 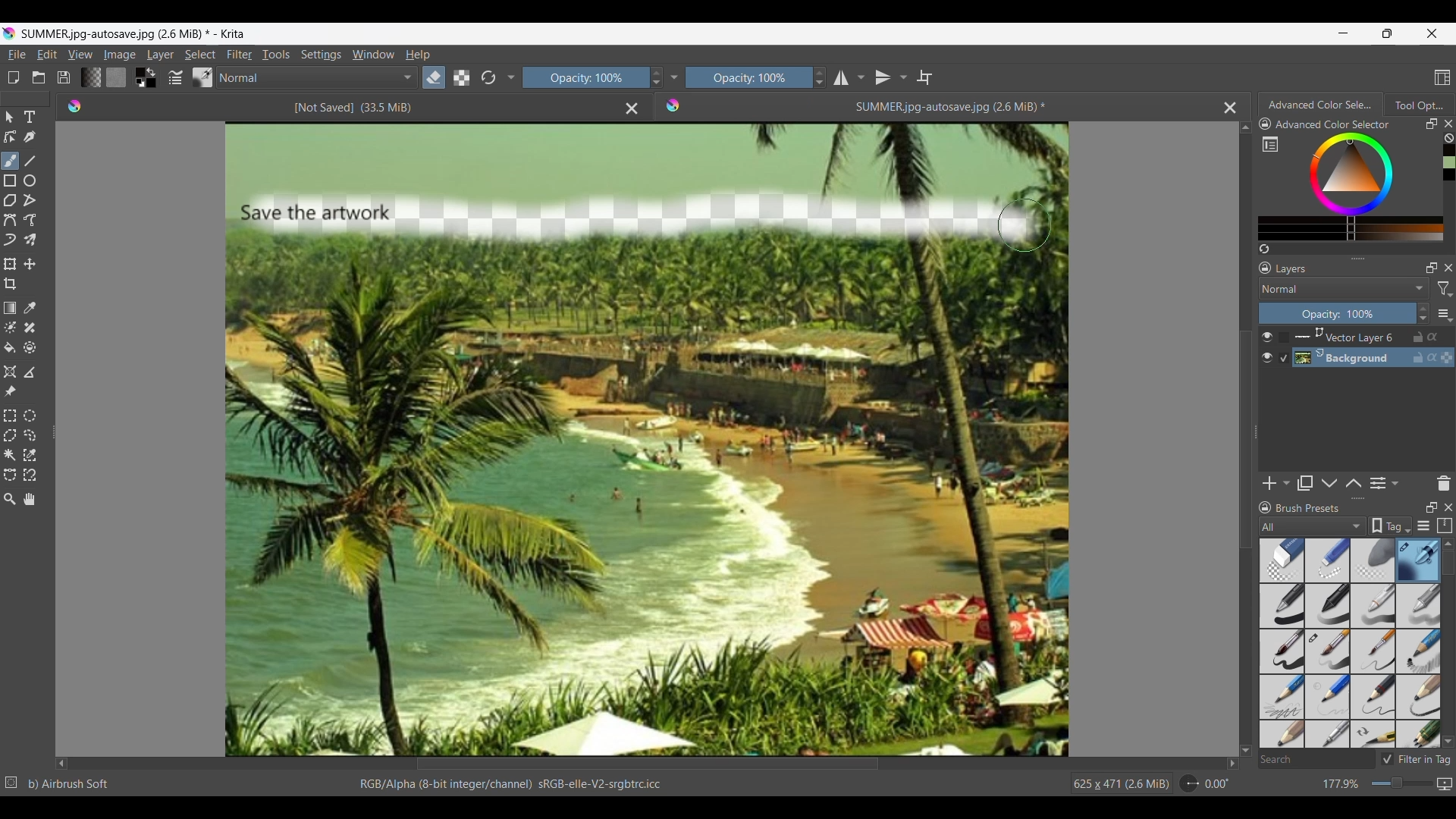 What do you see at coordinates (1448, 124) in the screenshot?
I see `Close color panel` at bounding box center [1448, 124].